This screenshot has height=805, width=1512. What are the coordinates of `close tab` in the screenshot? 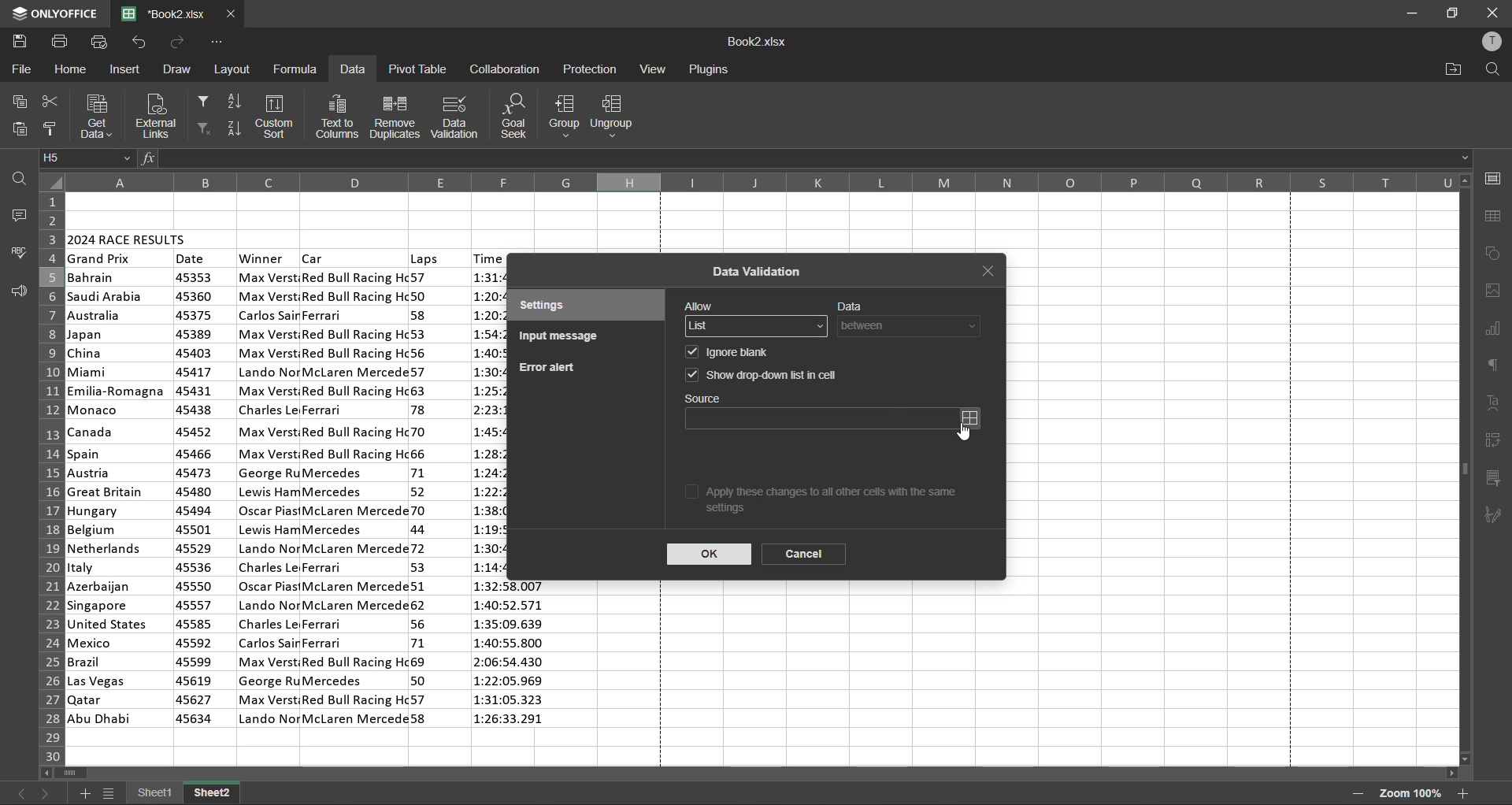 It's located at (232, 14).